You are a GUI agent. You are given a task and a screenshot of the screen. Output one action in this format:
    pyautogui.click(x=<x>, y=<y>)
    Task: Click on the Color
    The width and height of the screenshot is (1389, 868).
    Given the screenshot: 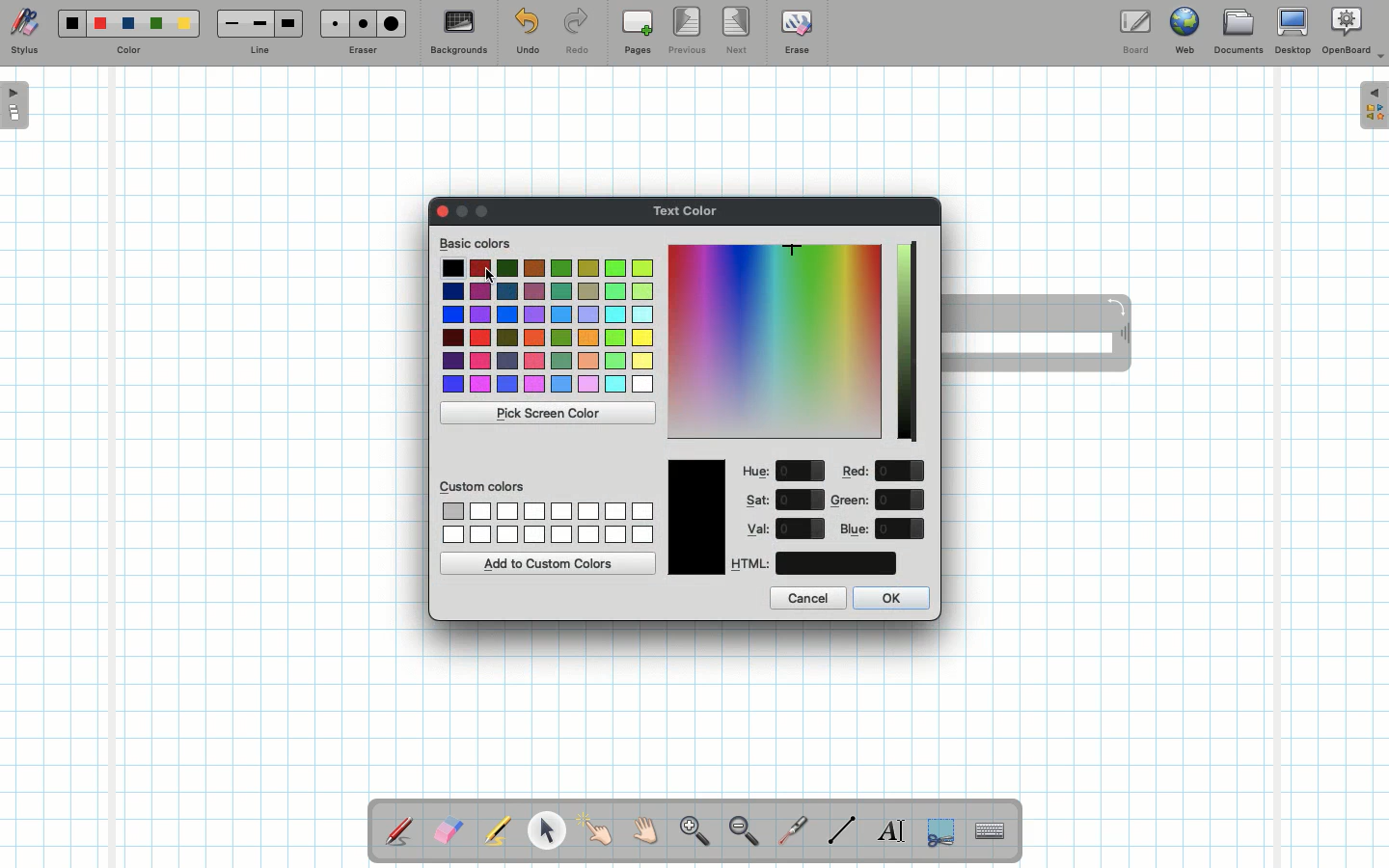 What is the action you would take?
    pyautogui.click(x=126, y=51)
    